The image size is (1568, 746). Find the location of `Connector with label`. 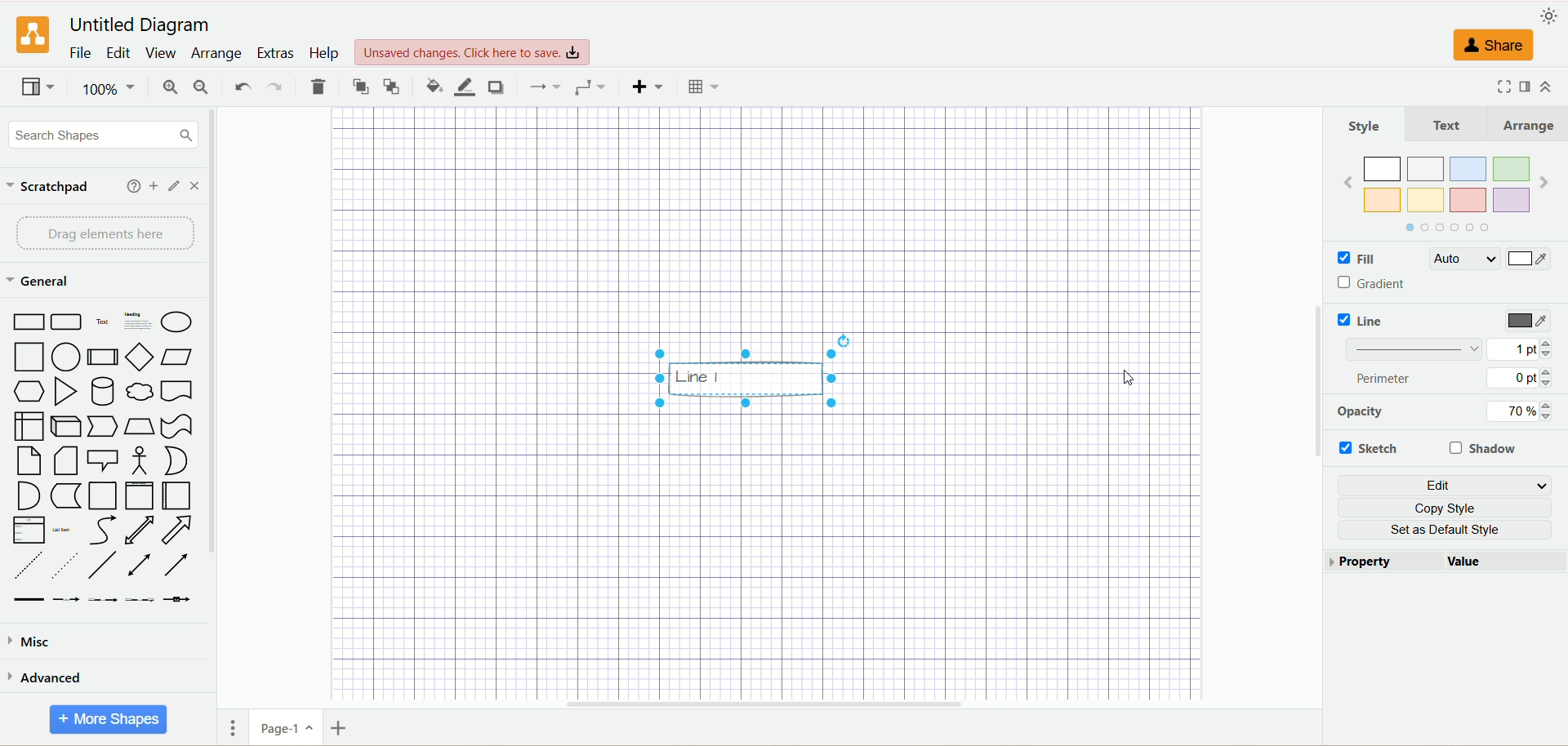

Connector with label is located at coordinates (66, 601).